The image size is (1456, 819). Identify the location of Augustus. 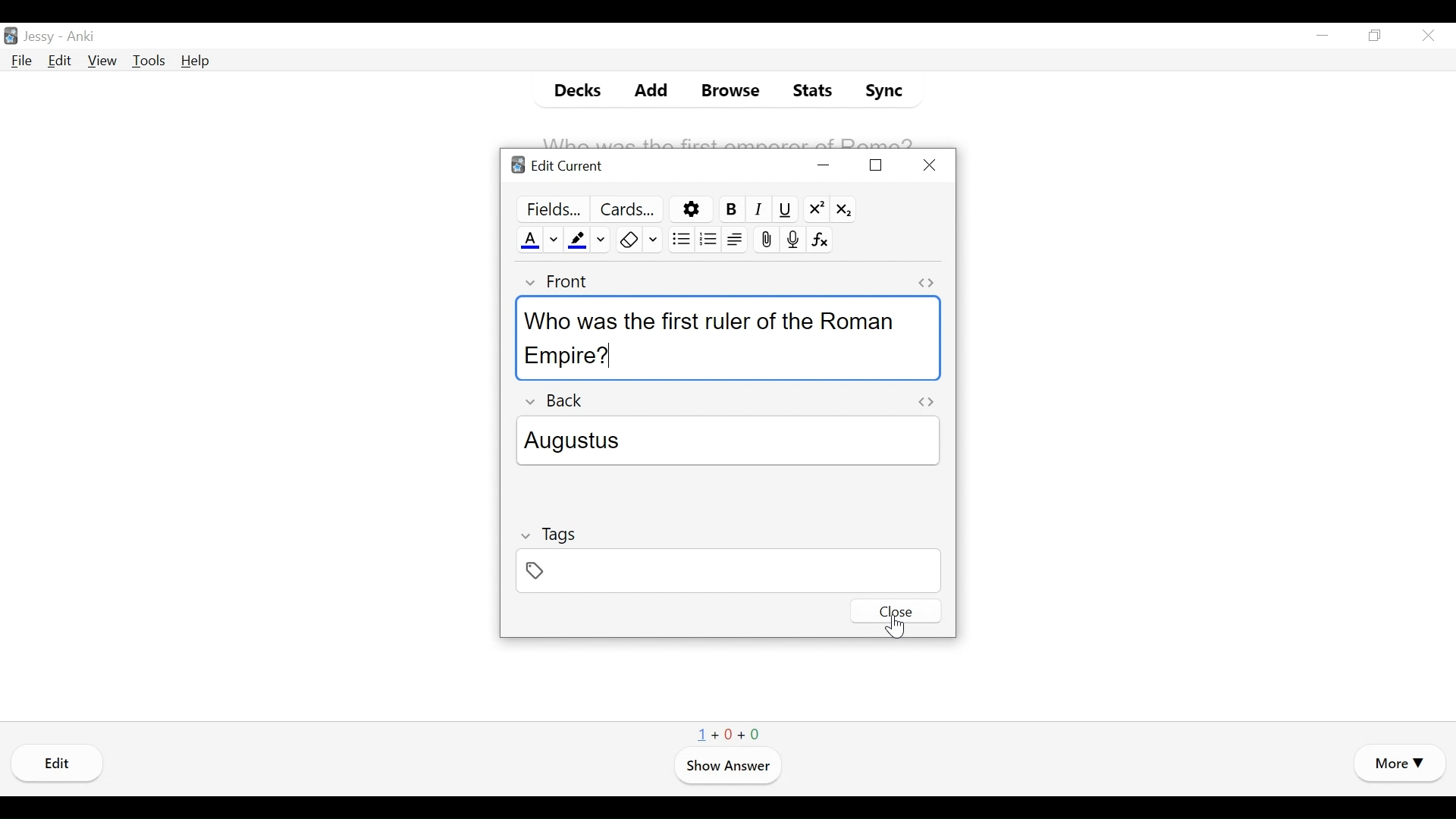
(730, 443).